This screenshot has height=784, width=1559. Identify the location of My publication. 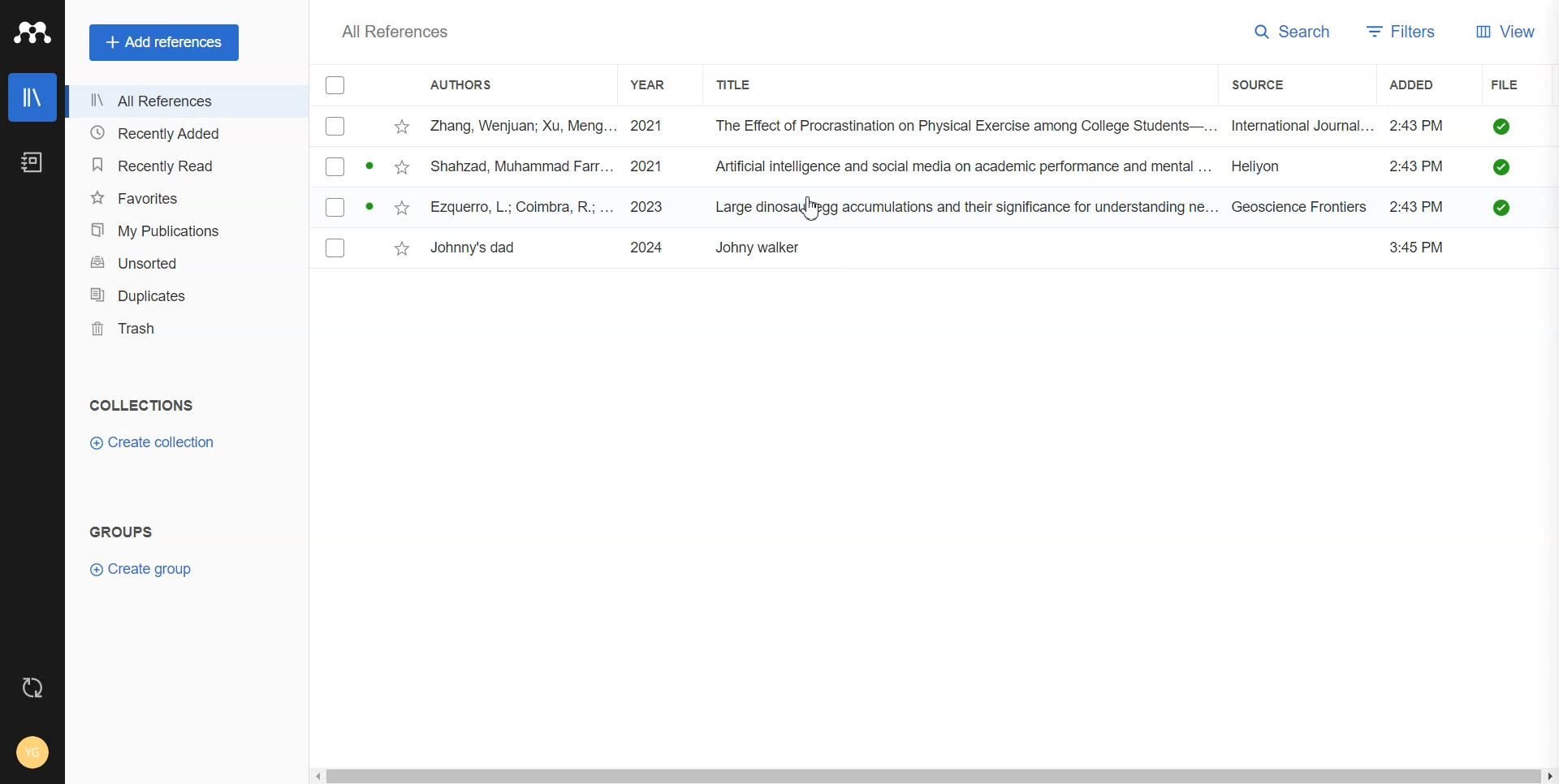
(179, 230).